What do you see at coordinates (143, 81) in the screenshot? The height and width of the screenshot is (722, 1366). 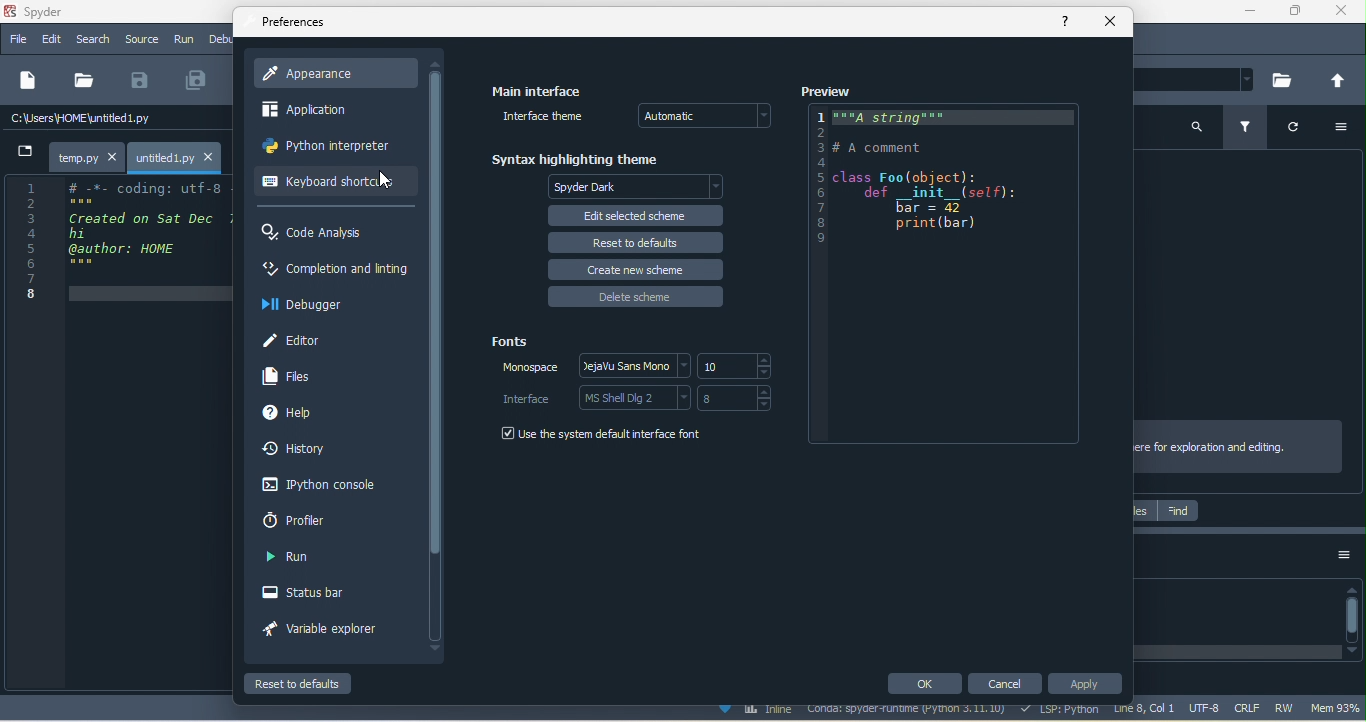 I see `save` at bounding box center [143, 81].